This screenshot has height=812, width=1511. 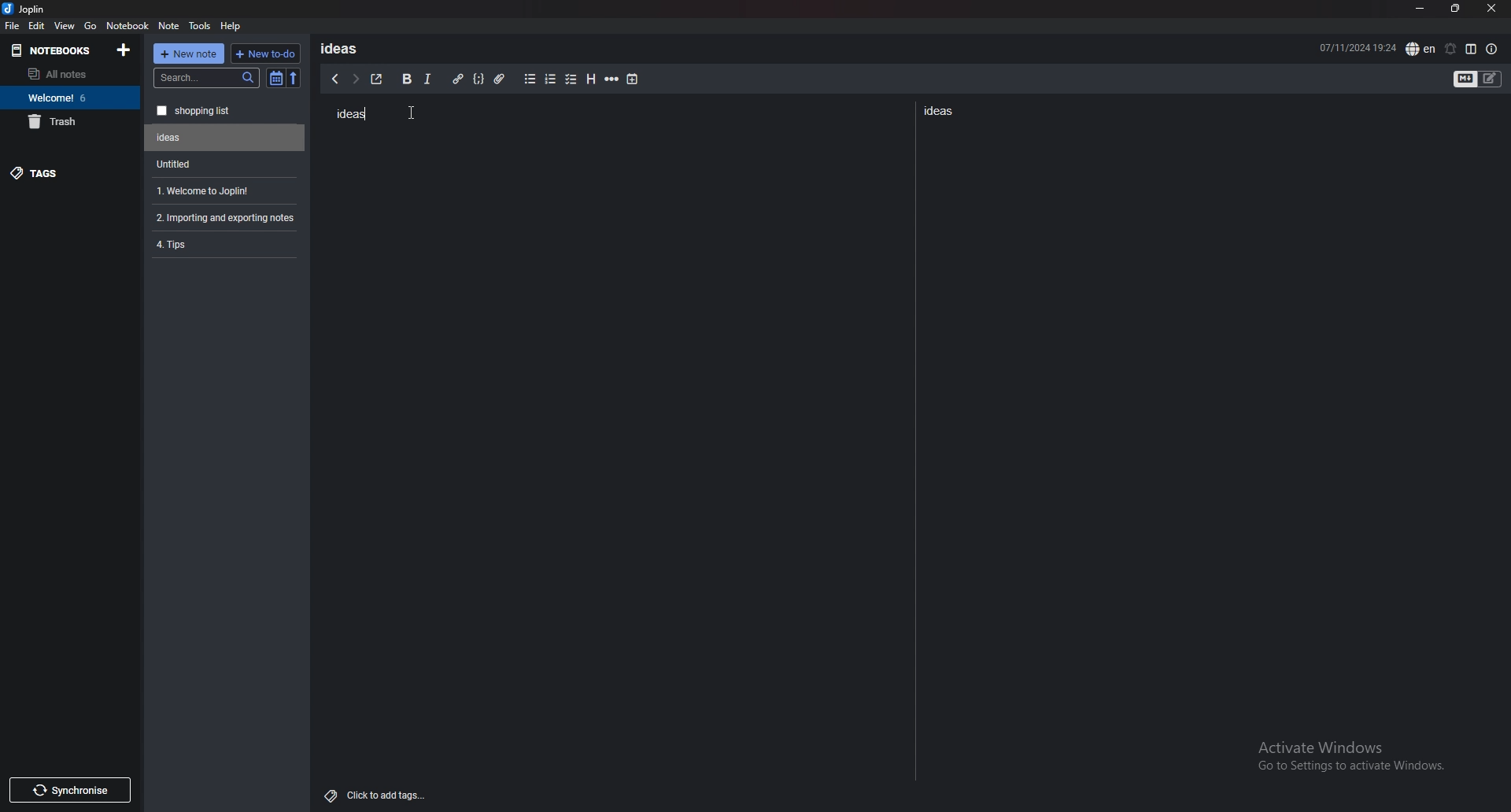 What do you see at coordinates (943, 110) in the screenshot?
I see `ideas` at bounding box center [943, 110].